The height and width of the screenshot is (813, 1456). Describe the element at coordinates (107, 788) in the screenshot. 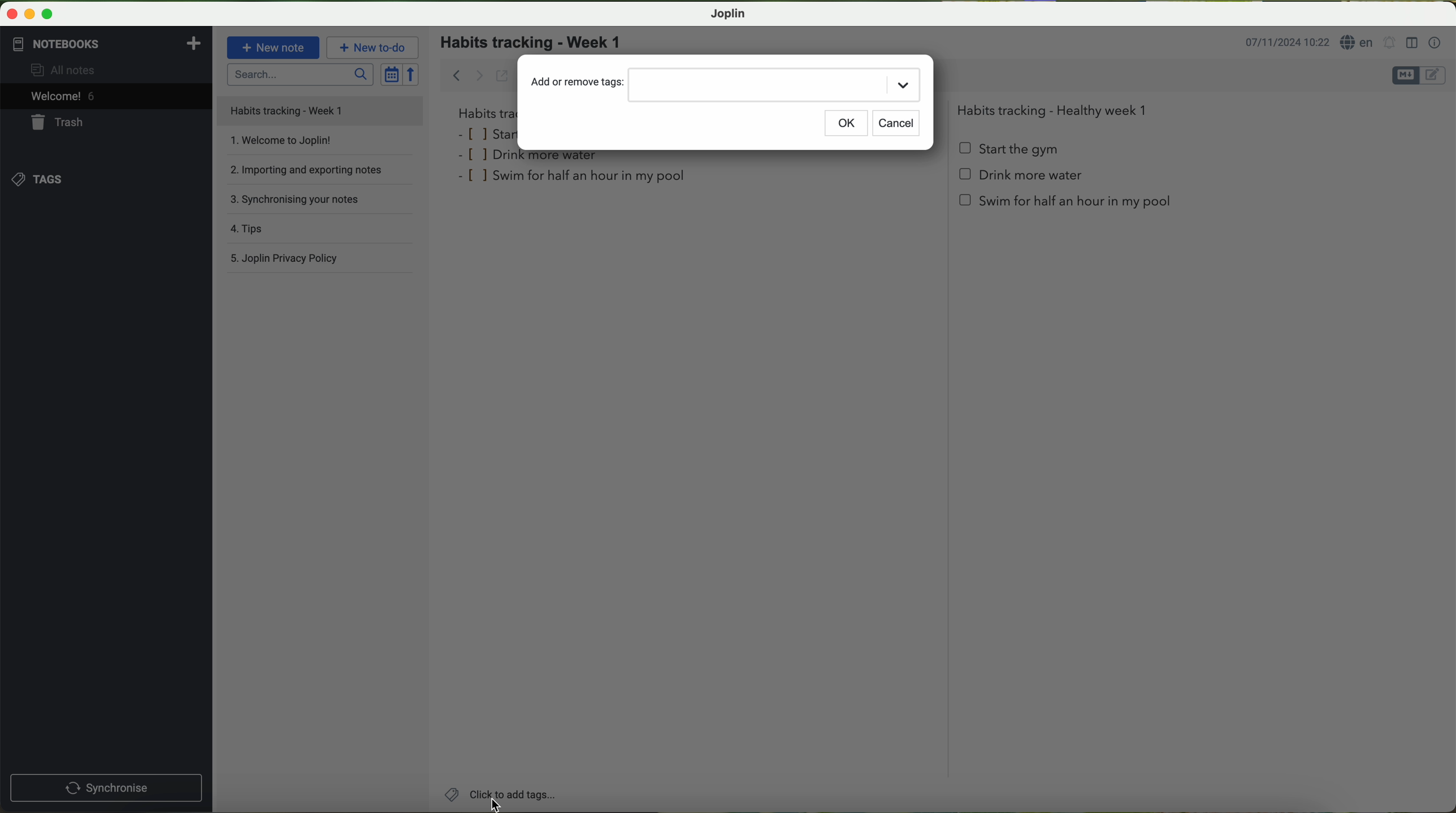

I see `synchronise button` at that location.